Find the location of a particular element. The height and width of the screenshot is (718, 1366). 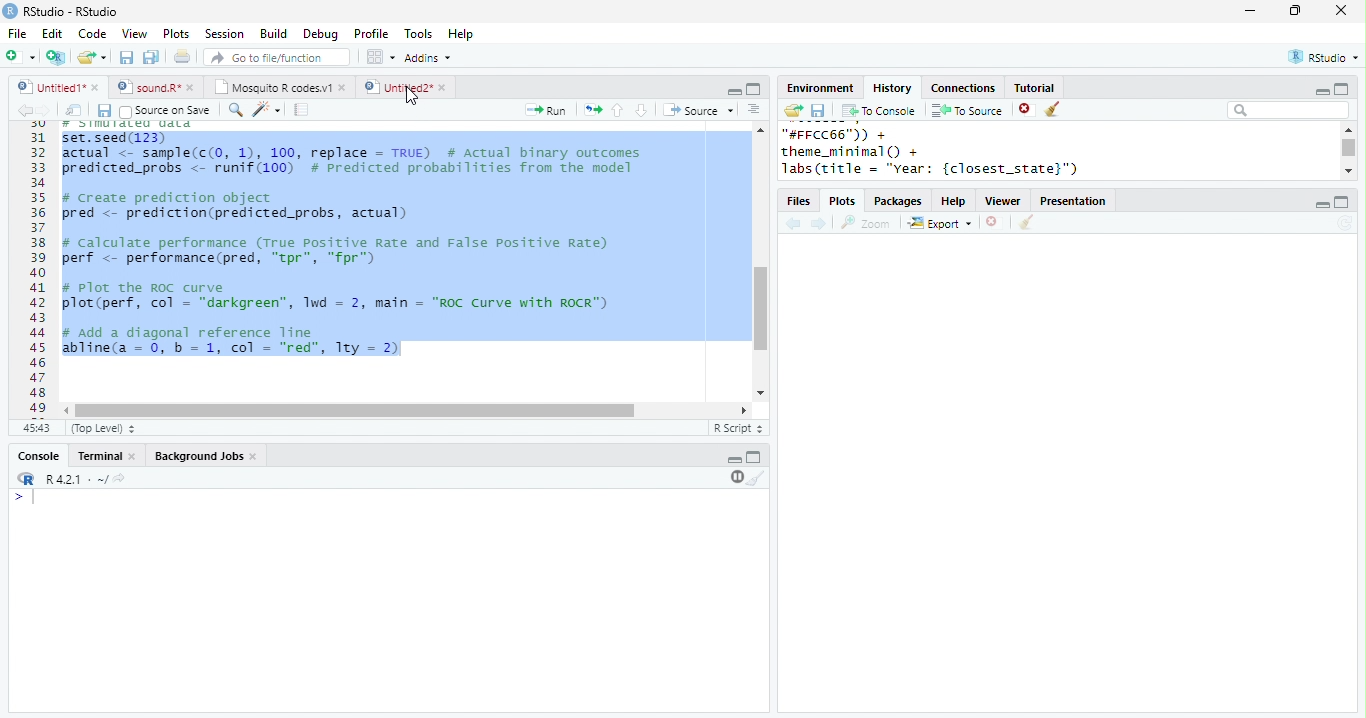

Environment is located at coordinates (819, 88).